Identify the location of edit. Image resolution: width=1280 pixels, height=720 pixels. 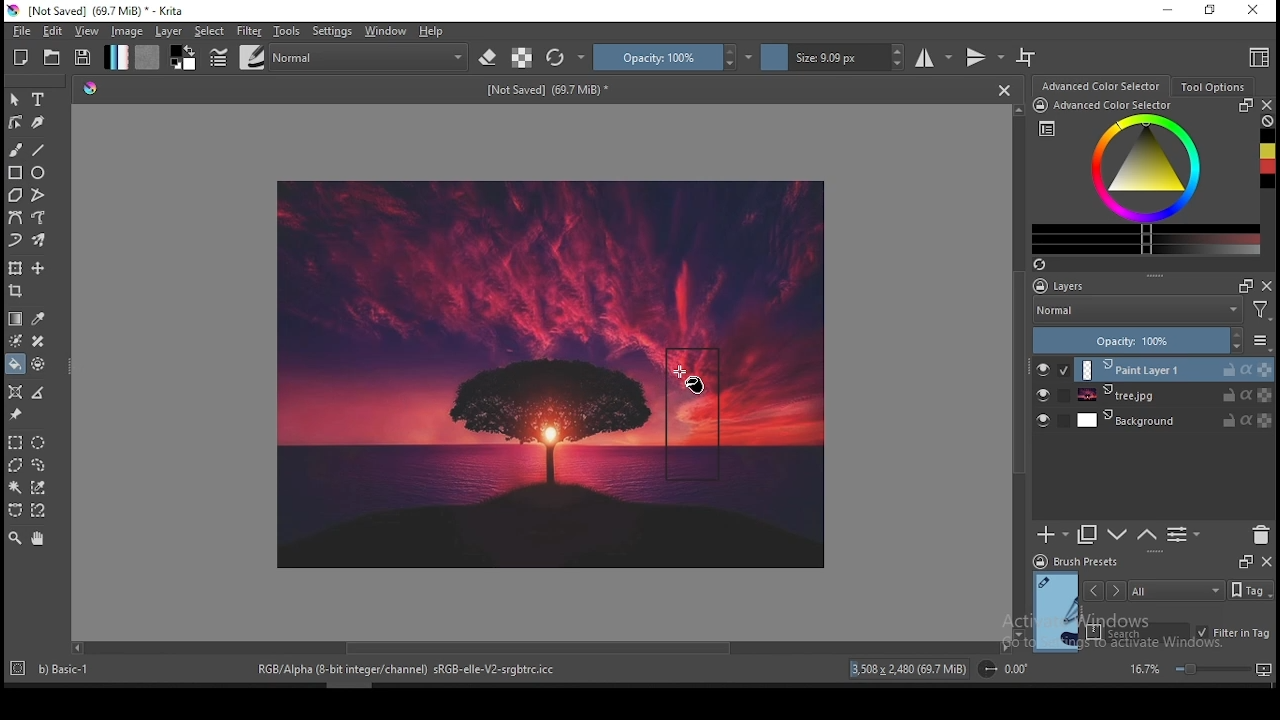
(52, 31).